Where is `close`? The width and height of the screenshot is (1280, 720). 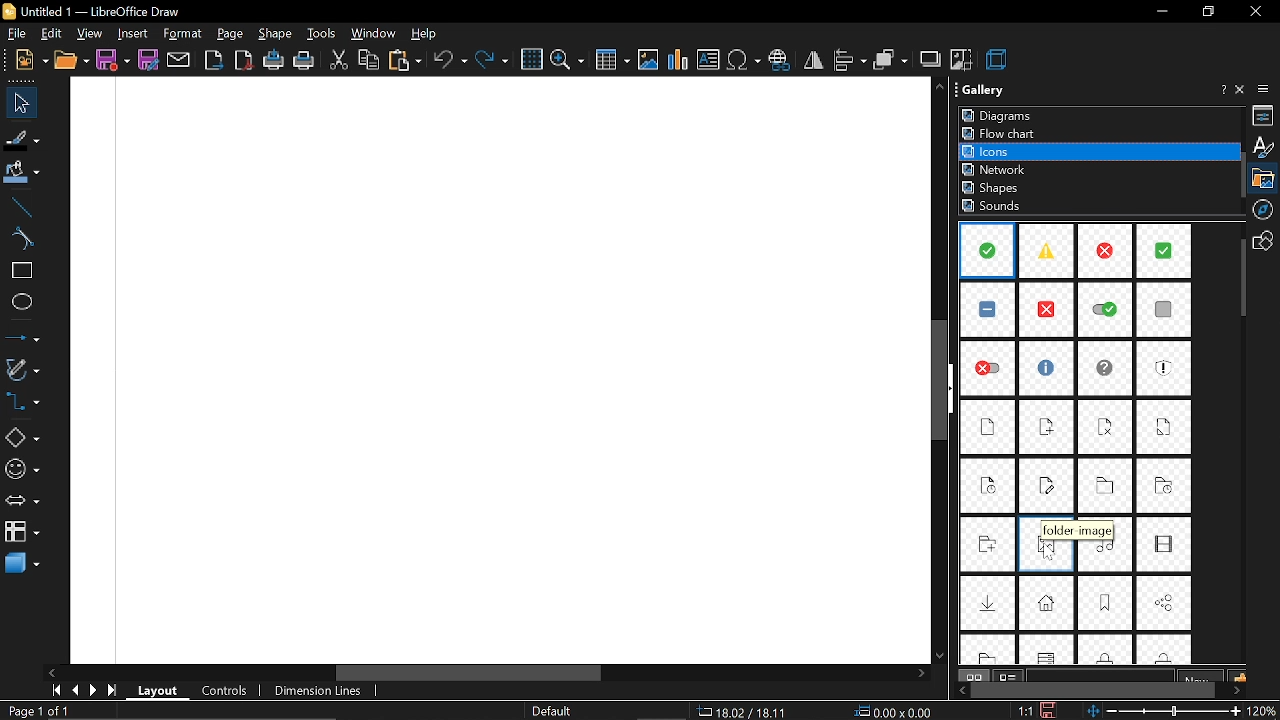
close is located at coordinates (1255, 13).